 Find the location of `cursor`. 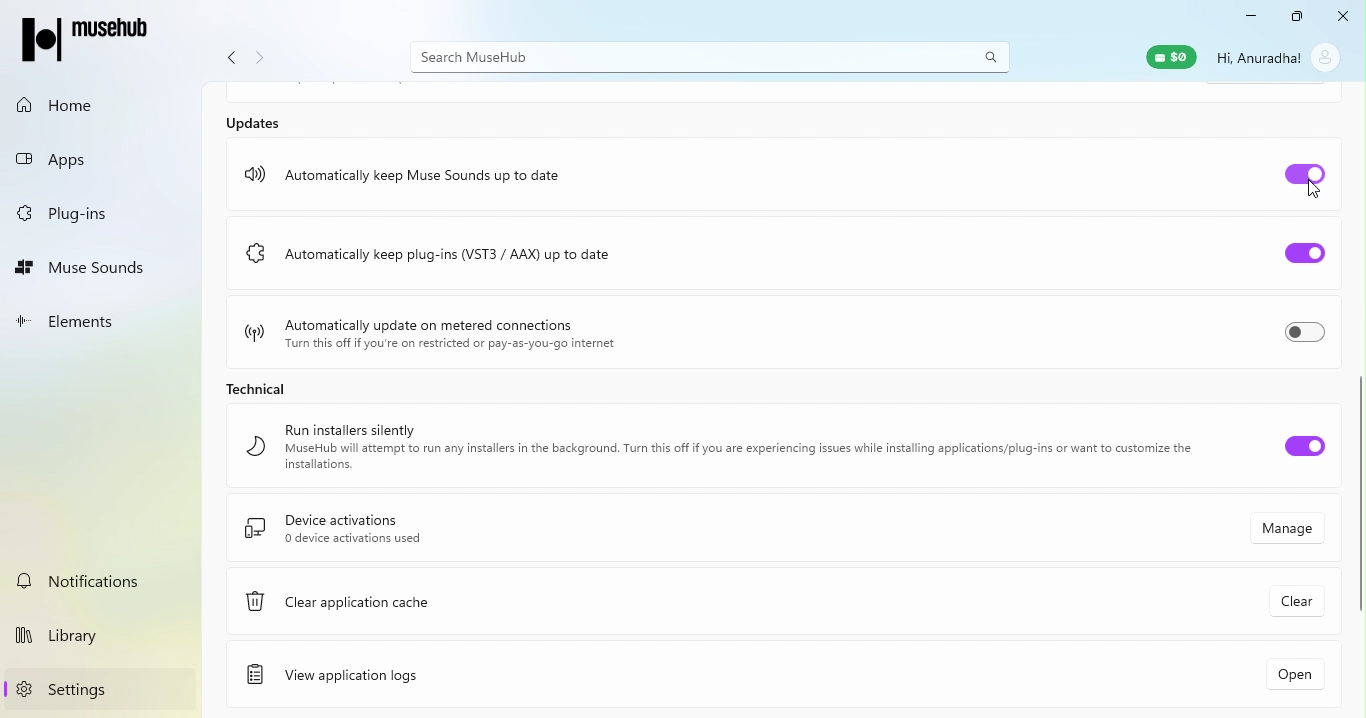

cursor is located at coordinates (1311, 191).